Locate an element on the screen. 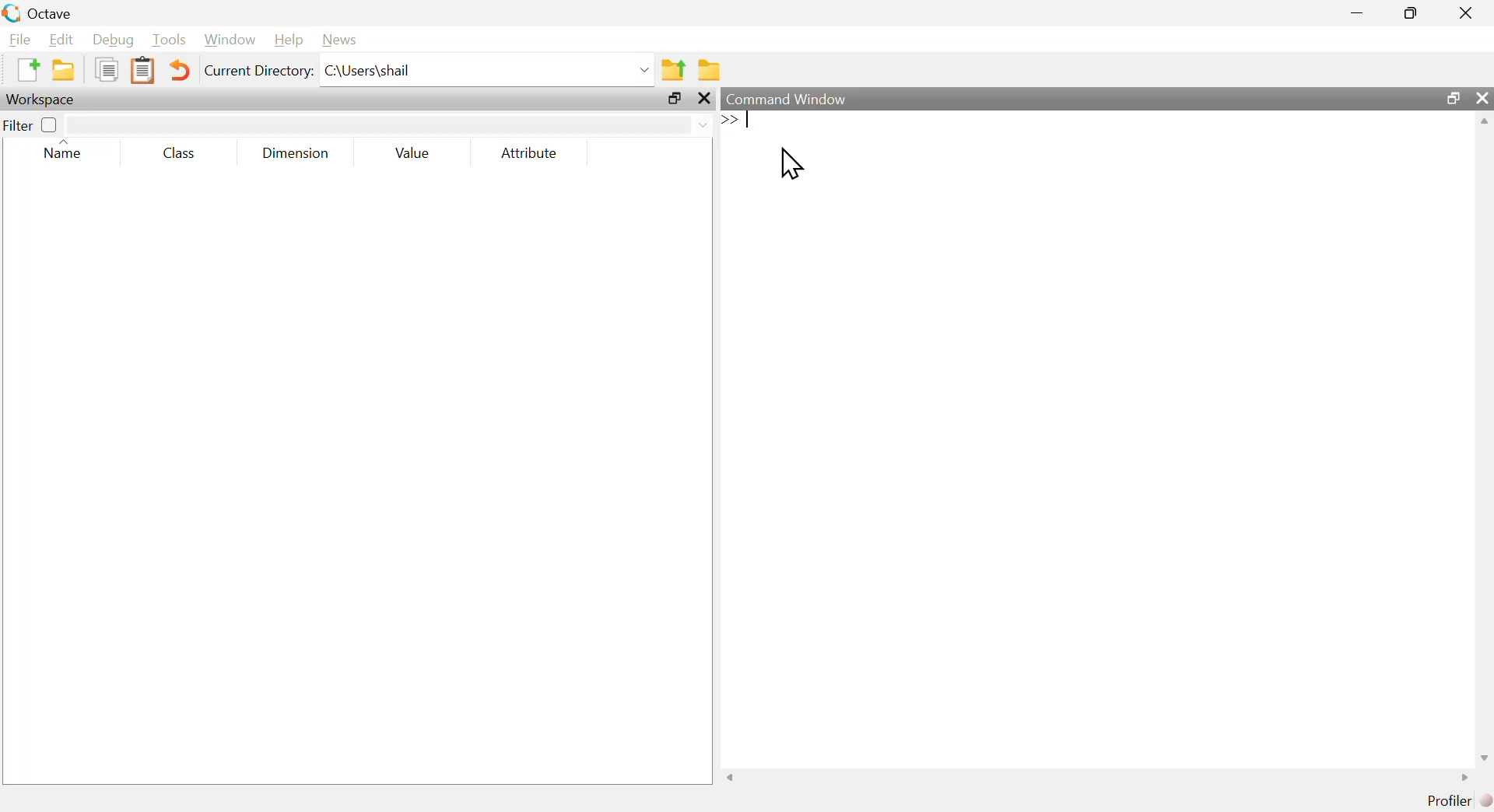 This screenshot has height=812, width=1494. Attribute is located at coordinates (531, 152).